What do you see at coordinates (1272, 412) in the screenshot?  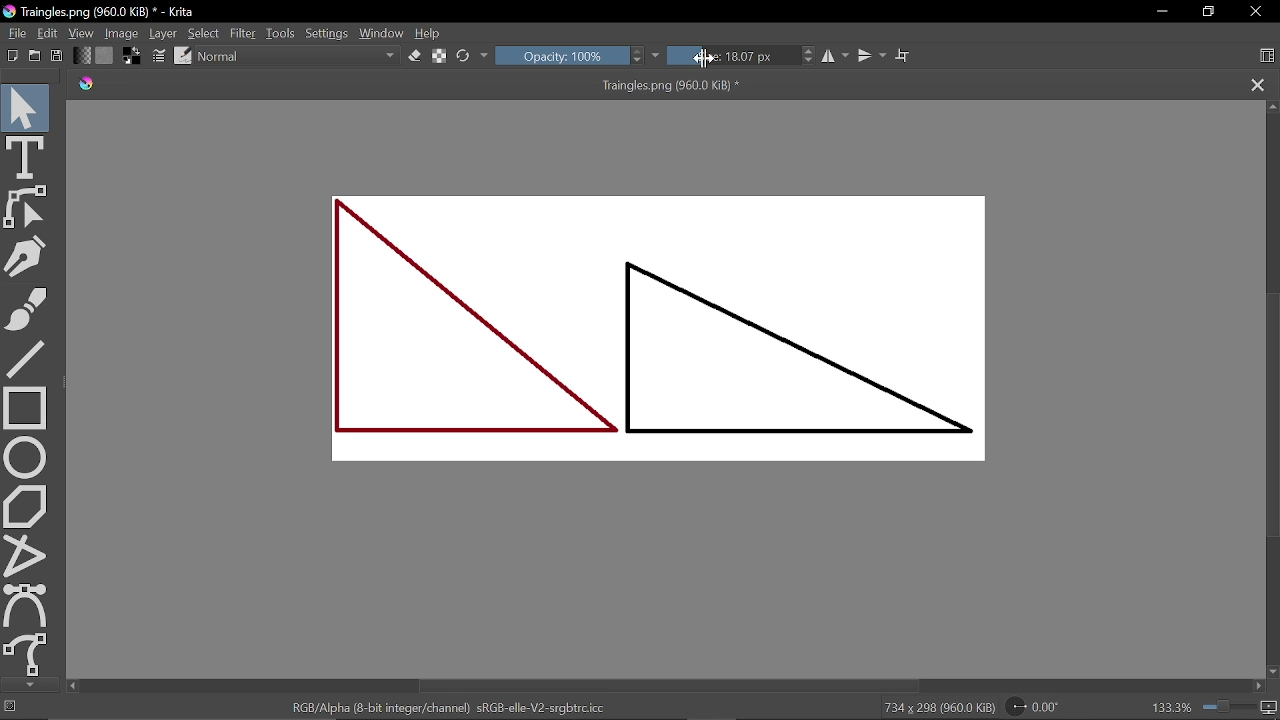 I see `Vertical scrollbar` at bounding box center [1272, 412].